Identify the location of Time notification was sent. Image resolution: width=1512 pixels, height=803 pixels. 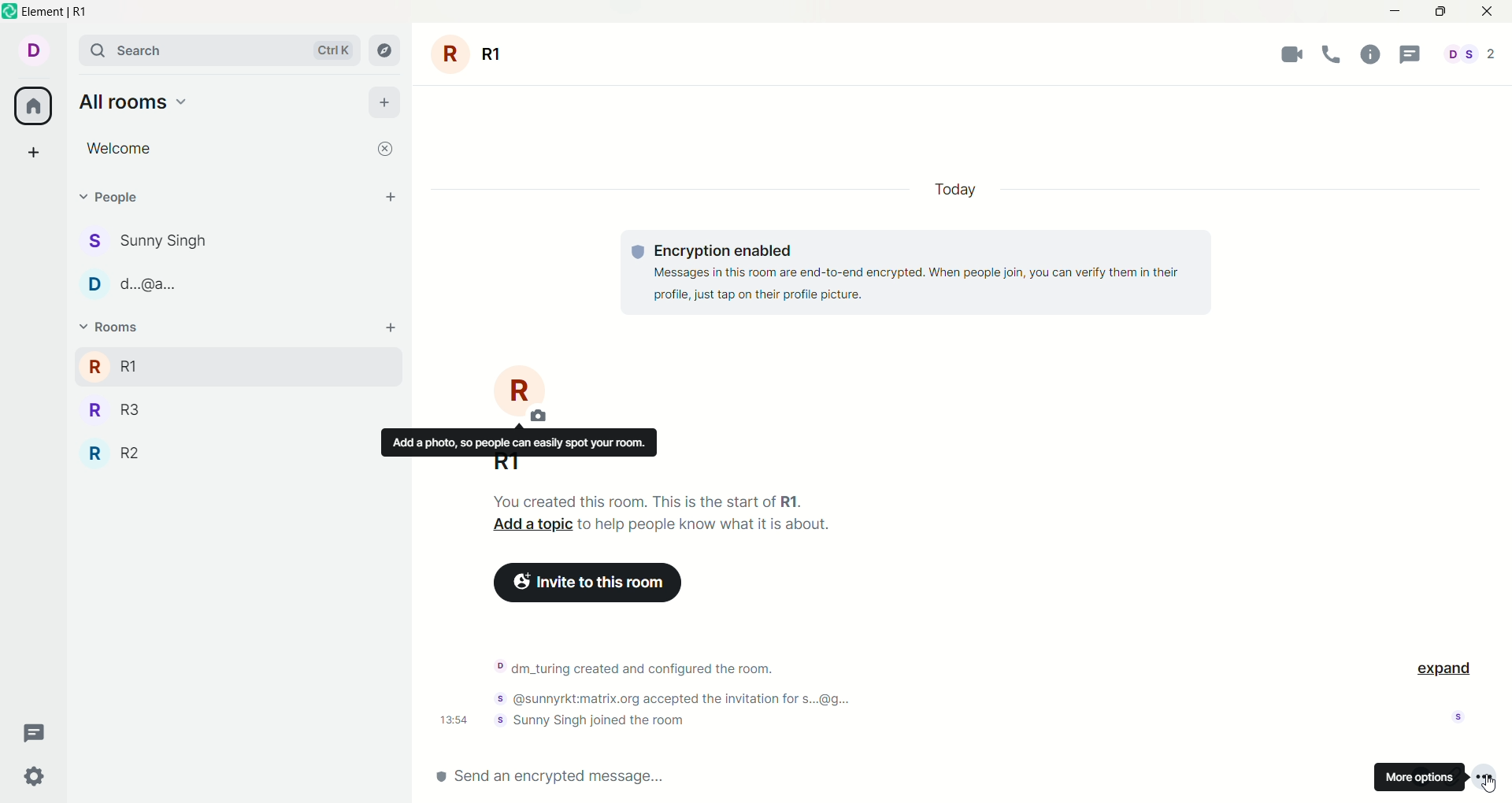
(454, 720).